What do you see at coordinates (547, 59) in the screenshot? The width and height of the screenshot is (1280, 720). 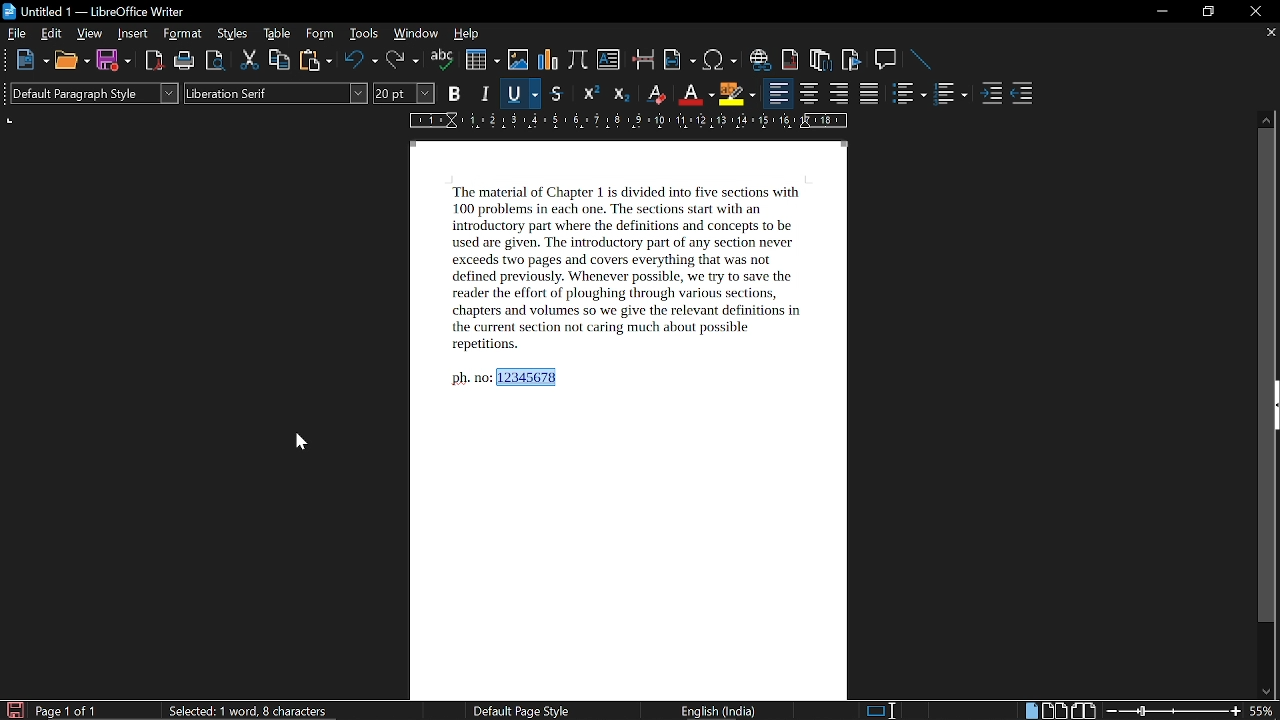 I see `insert chart` at bounding box center [547, 59].